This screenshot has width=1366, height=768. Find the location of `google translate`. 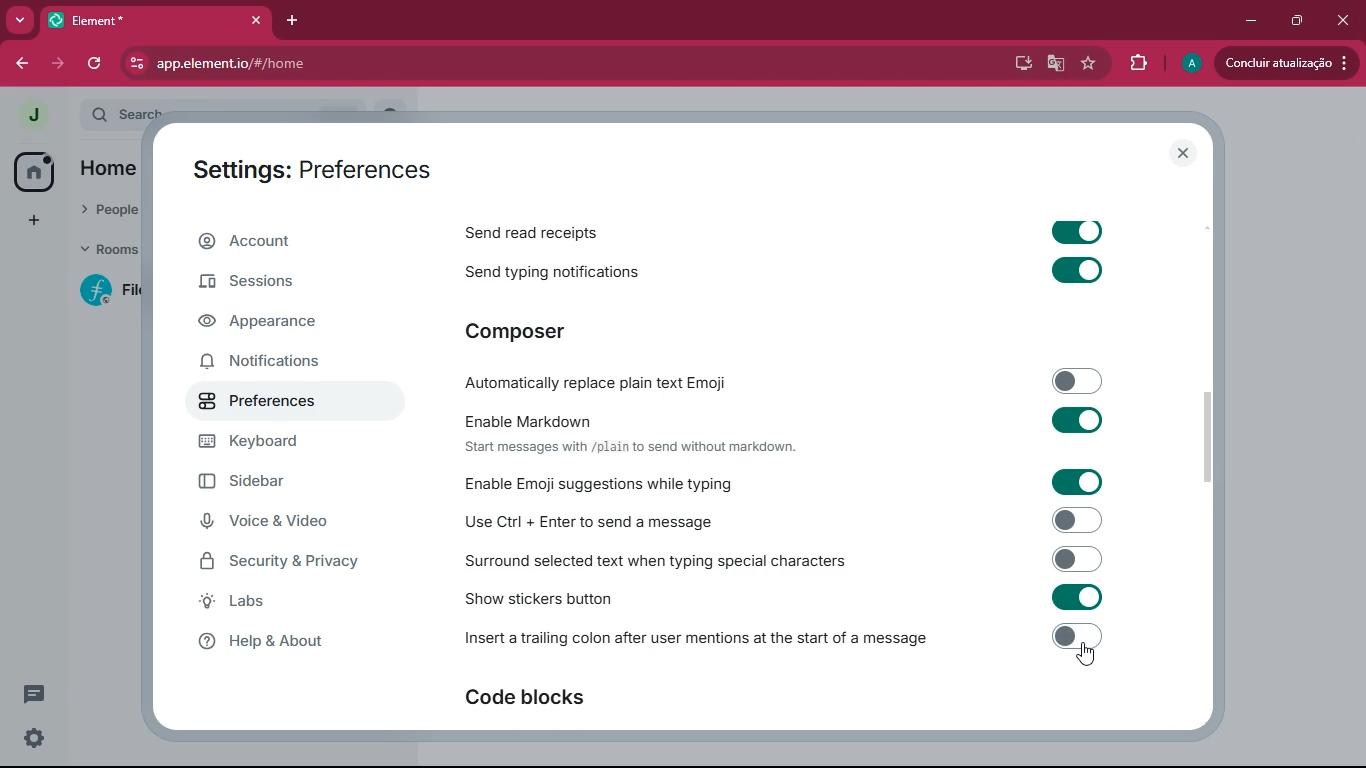

google translate is located at coordinates (1055, 67).